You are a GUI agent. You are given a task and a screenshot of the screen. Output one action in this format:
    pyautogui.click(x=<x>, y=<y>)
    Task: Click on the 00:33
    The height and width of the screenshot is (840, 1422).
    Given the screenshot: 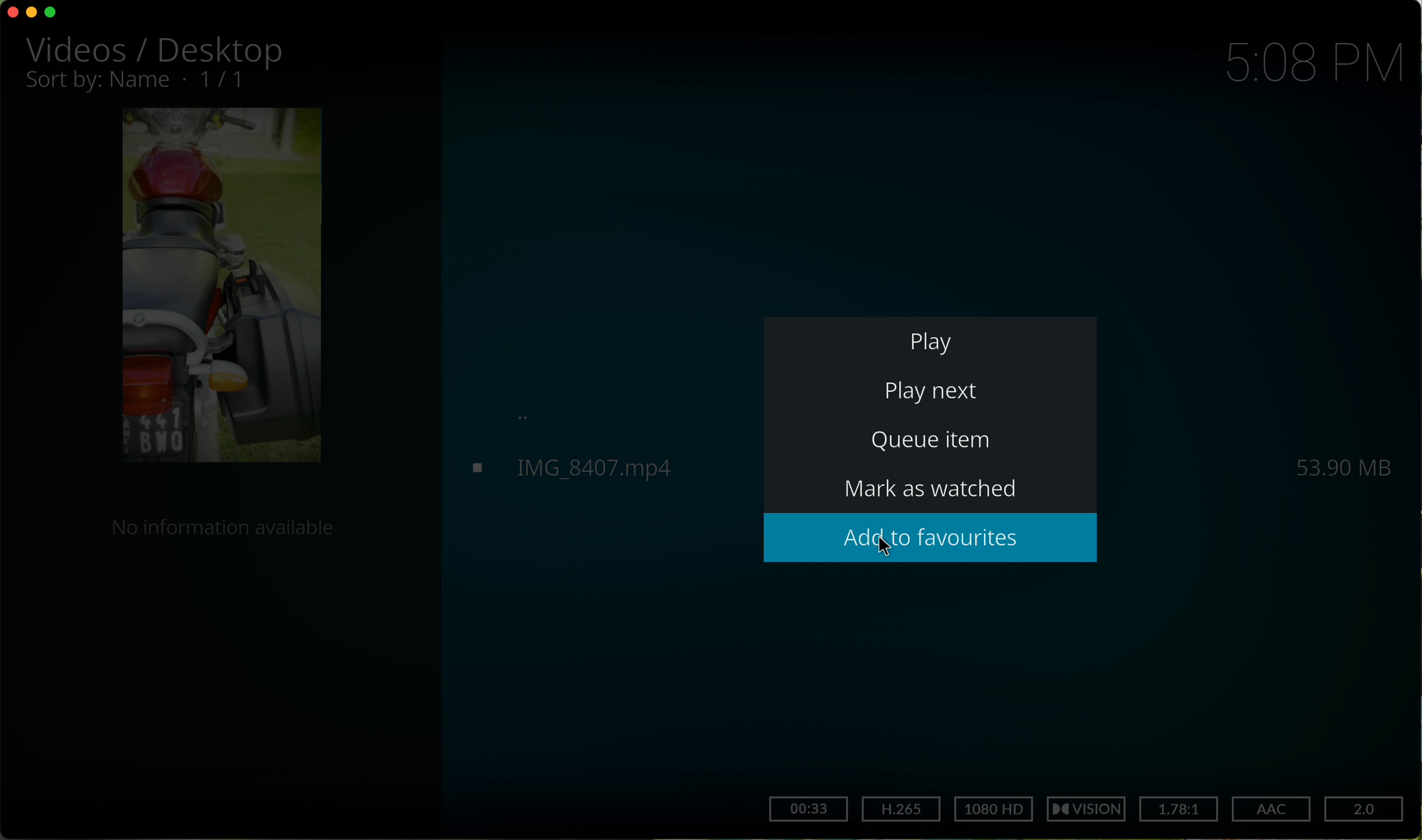 What is the action you would take?
    pyautogui.click(x=808, y=809)
    